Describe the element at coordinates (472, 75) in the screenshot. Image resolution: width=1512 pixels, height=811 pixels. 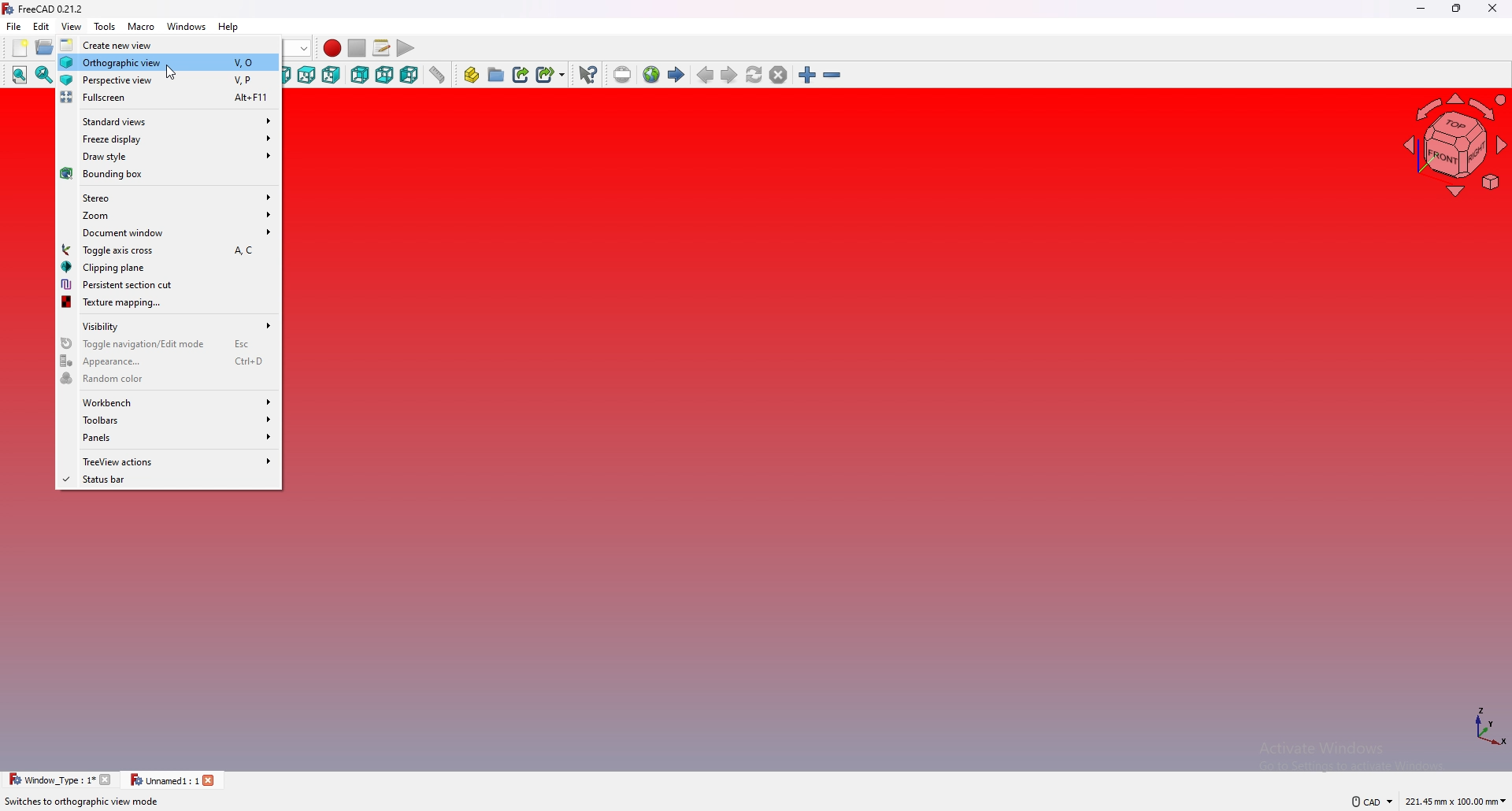
I see `create part` at that location.